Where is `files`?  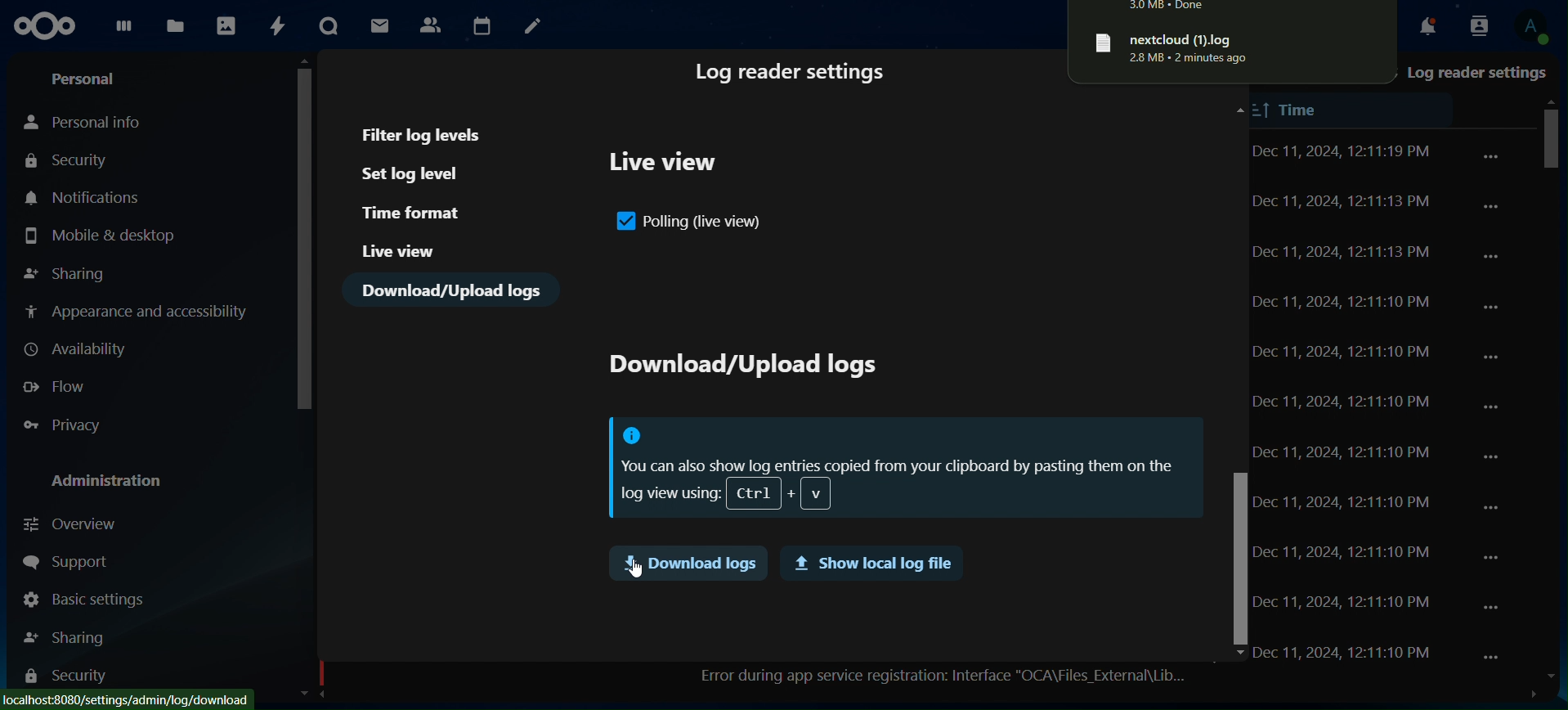 files is located at coordinates (174, 26).